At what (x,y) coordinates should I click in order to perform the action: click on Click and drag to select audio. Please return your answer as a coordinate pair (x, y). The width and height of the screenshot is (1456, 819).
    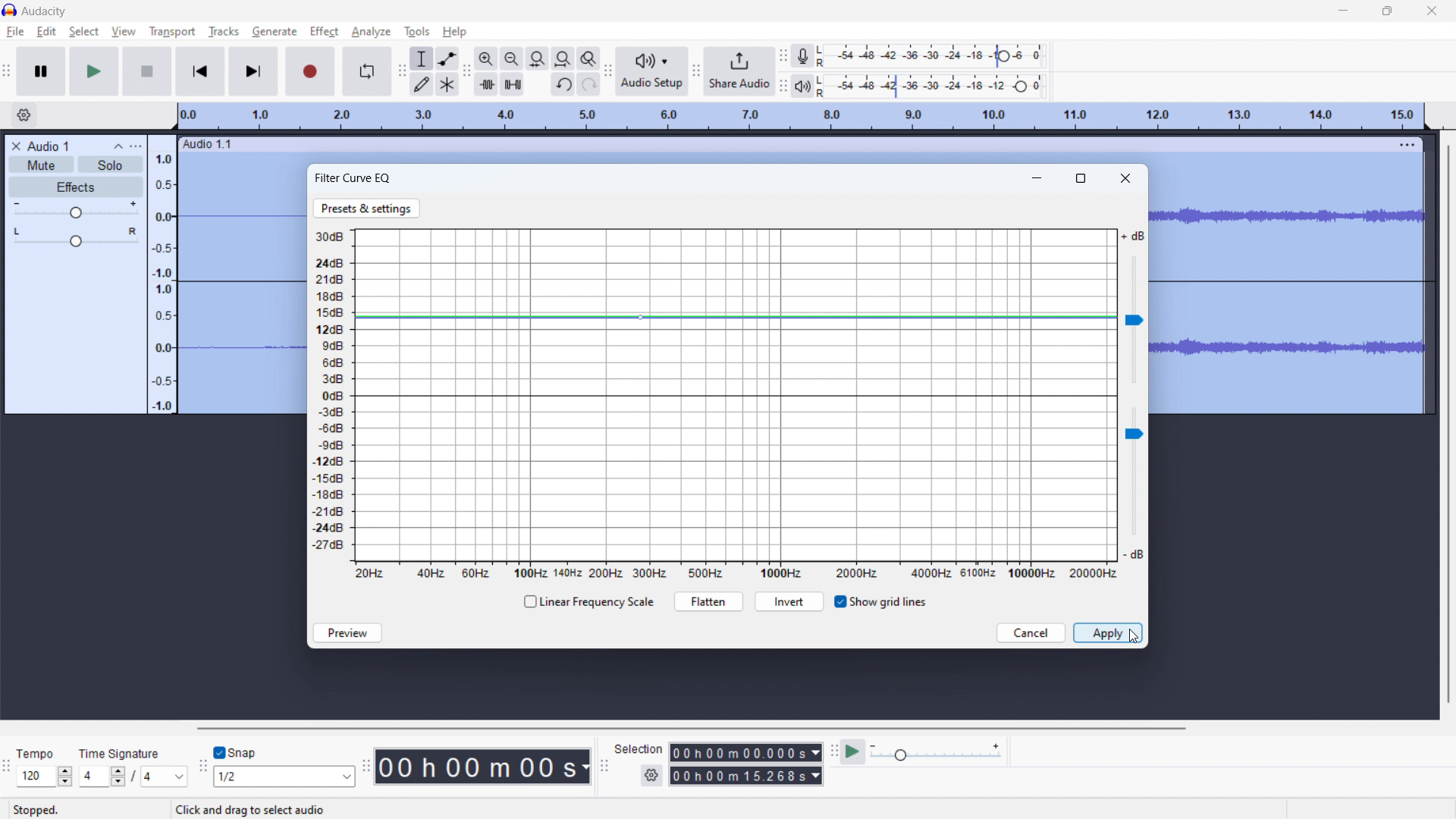
    Looking at the image, I should click on (249, 809).